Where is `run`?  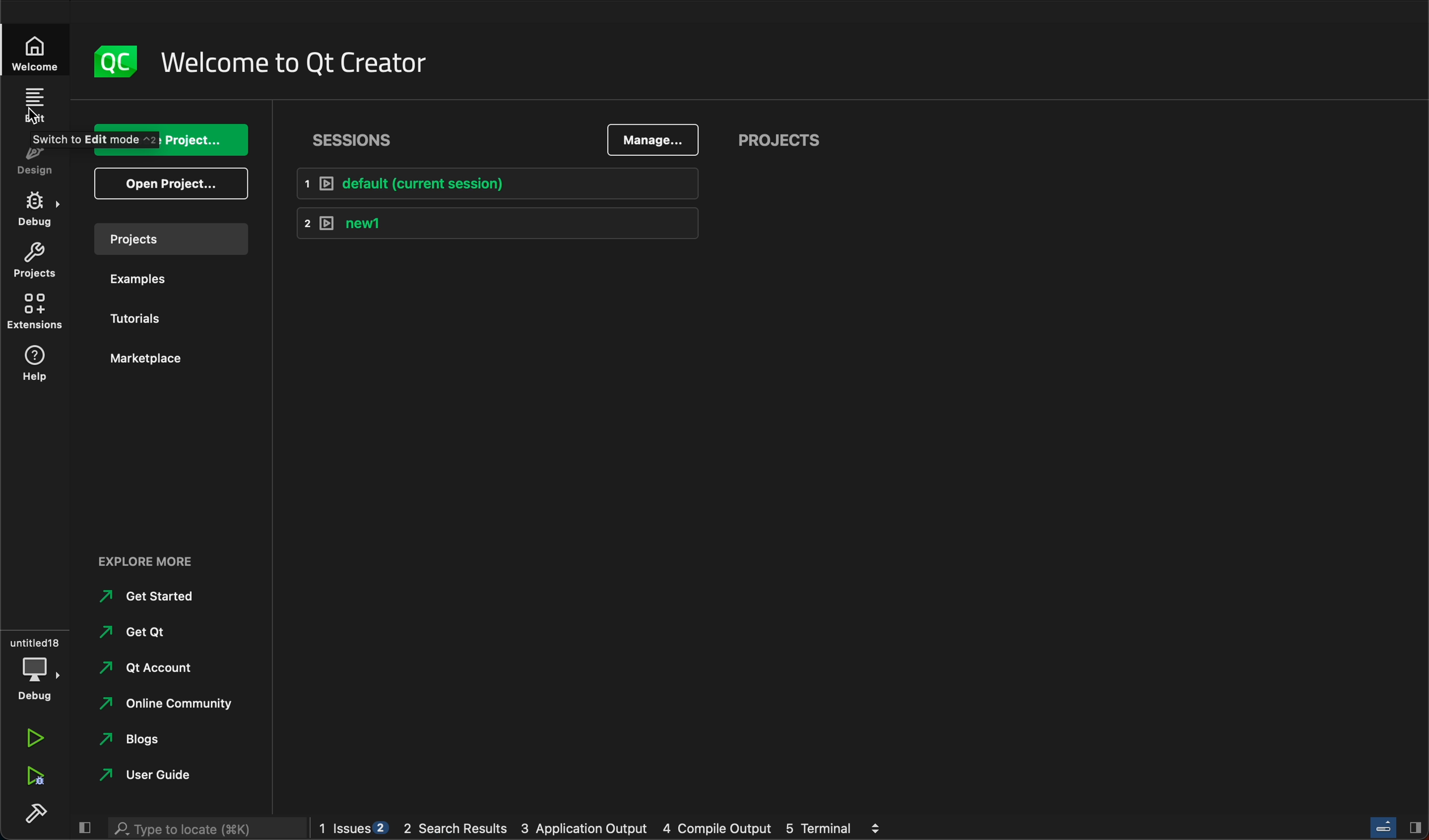 run is located at coordinates (36, 739).